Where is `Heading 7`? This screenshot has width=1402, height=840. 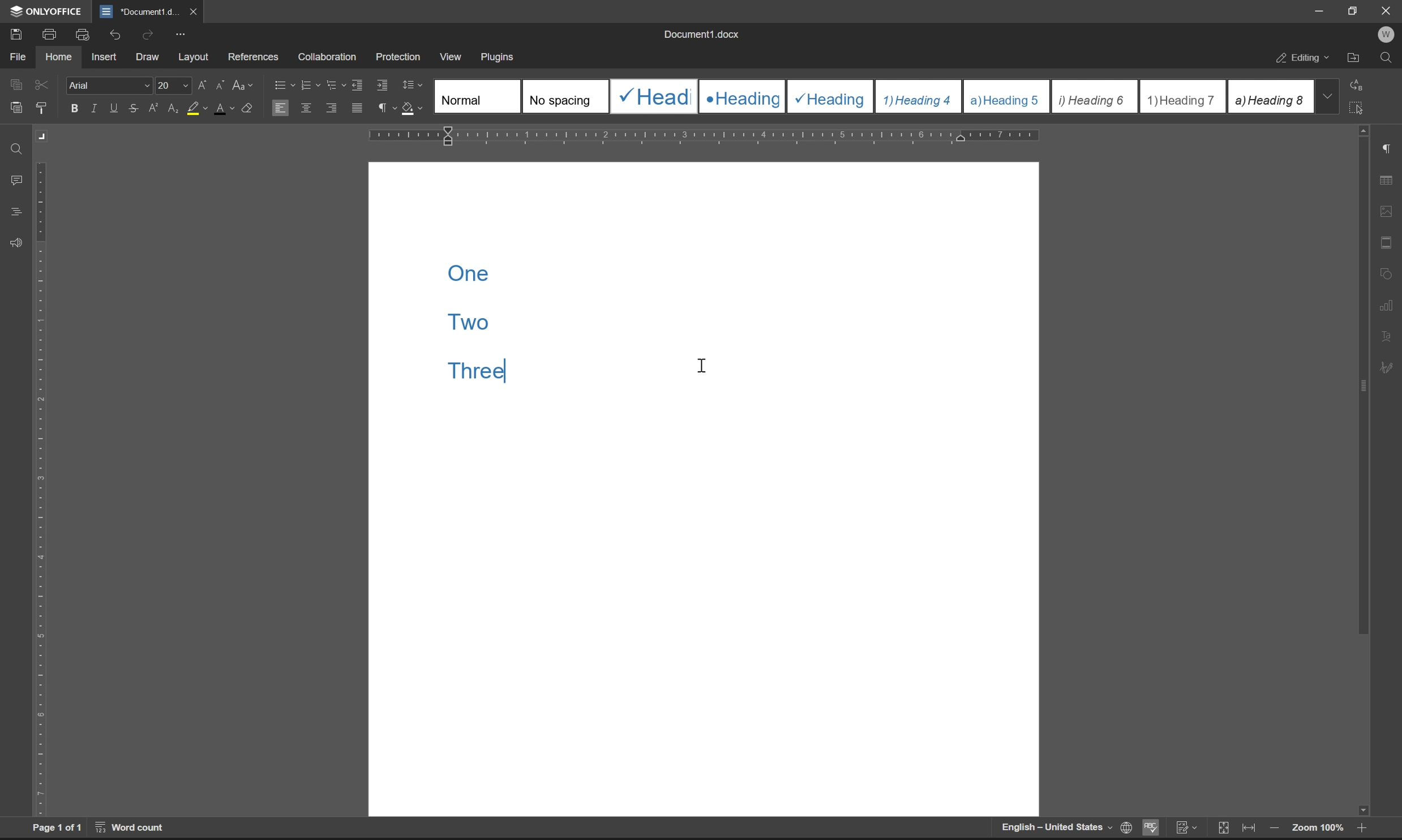 Heading 7 is located at coordinates (1183, 97).